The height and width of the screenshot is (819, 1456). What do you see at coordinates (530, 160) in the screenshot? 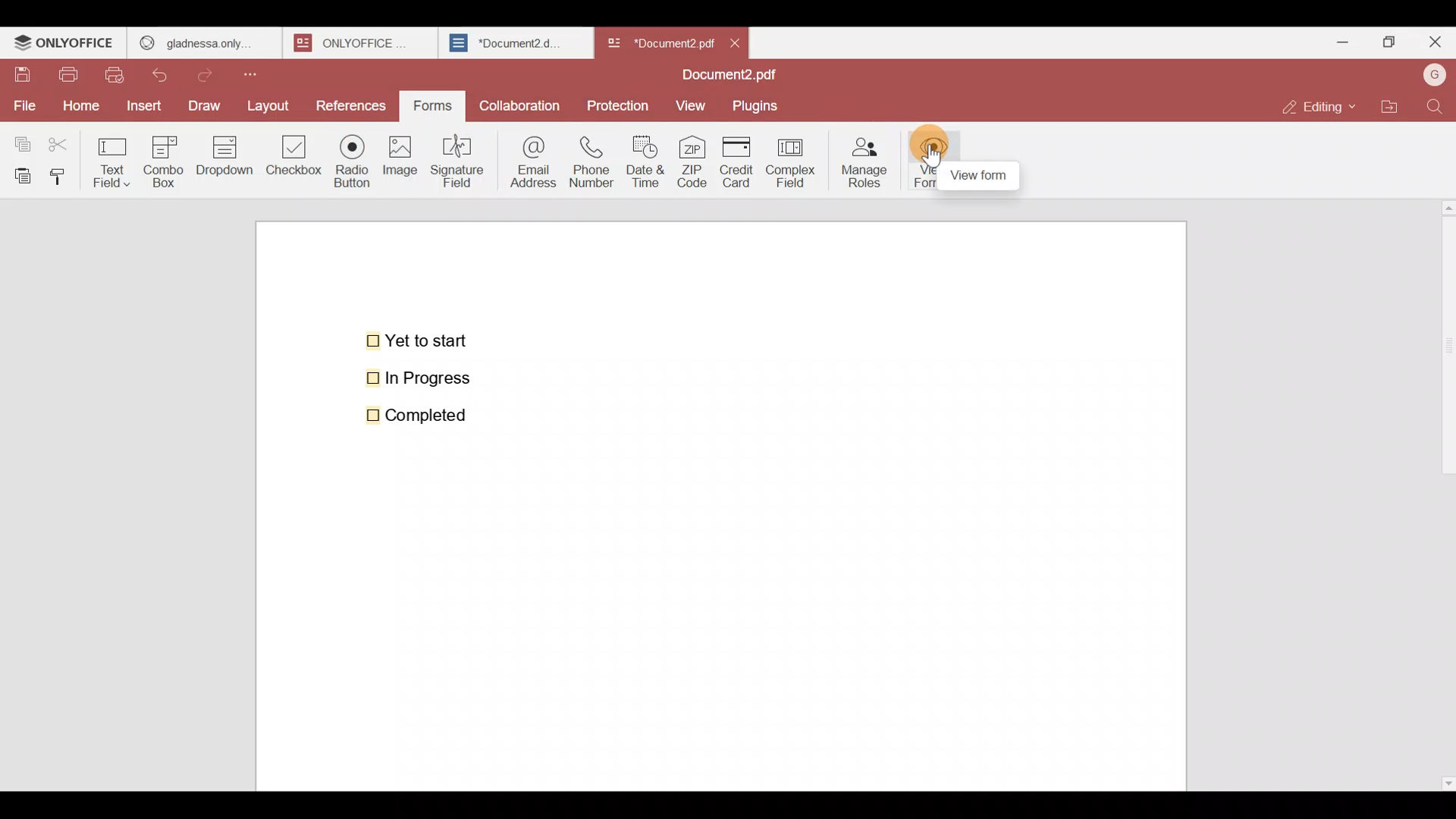
I see `Email address` at bounding box center [530, 160].